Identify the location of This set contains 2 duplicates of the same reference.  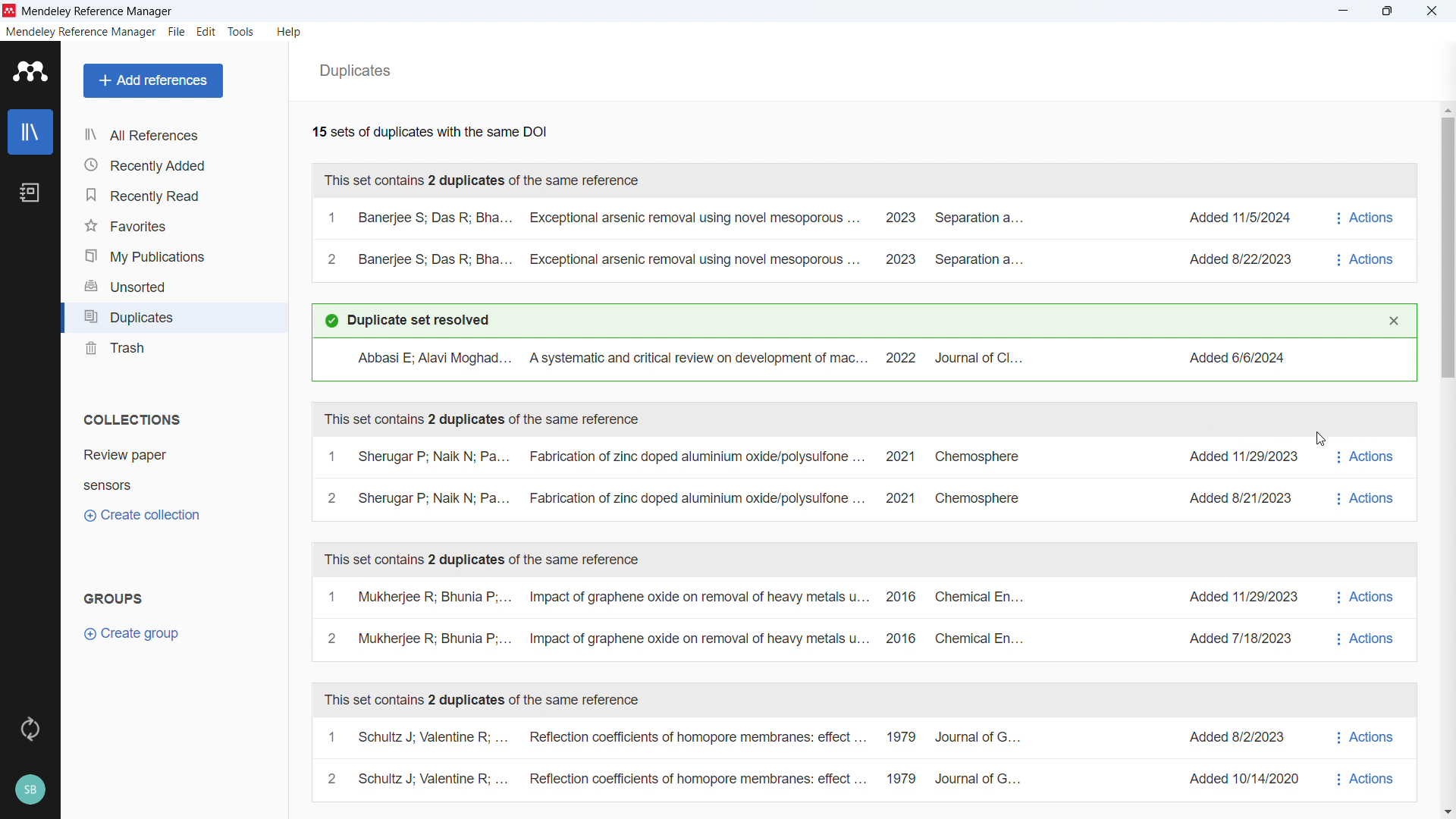
(483, 417).